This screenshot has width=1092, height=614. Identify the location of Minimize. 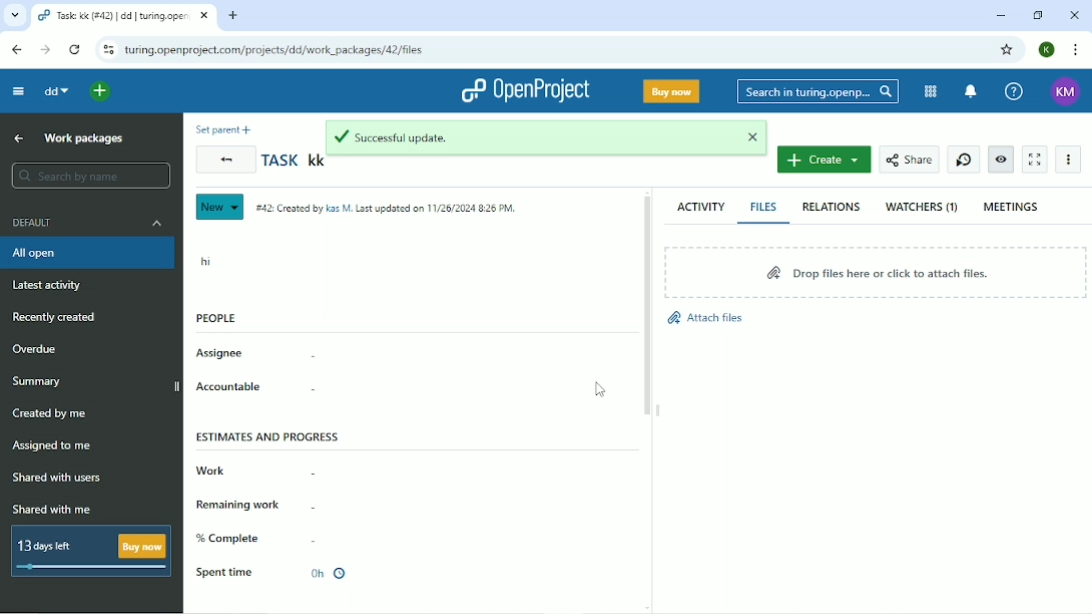
(1001, 16).